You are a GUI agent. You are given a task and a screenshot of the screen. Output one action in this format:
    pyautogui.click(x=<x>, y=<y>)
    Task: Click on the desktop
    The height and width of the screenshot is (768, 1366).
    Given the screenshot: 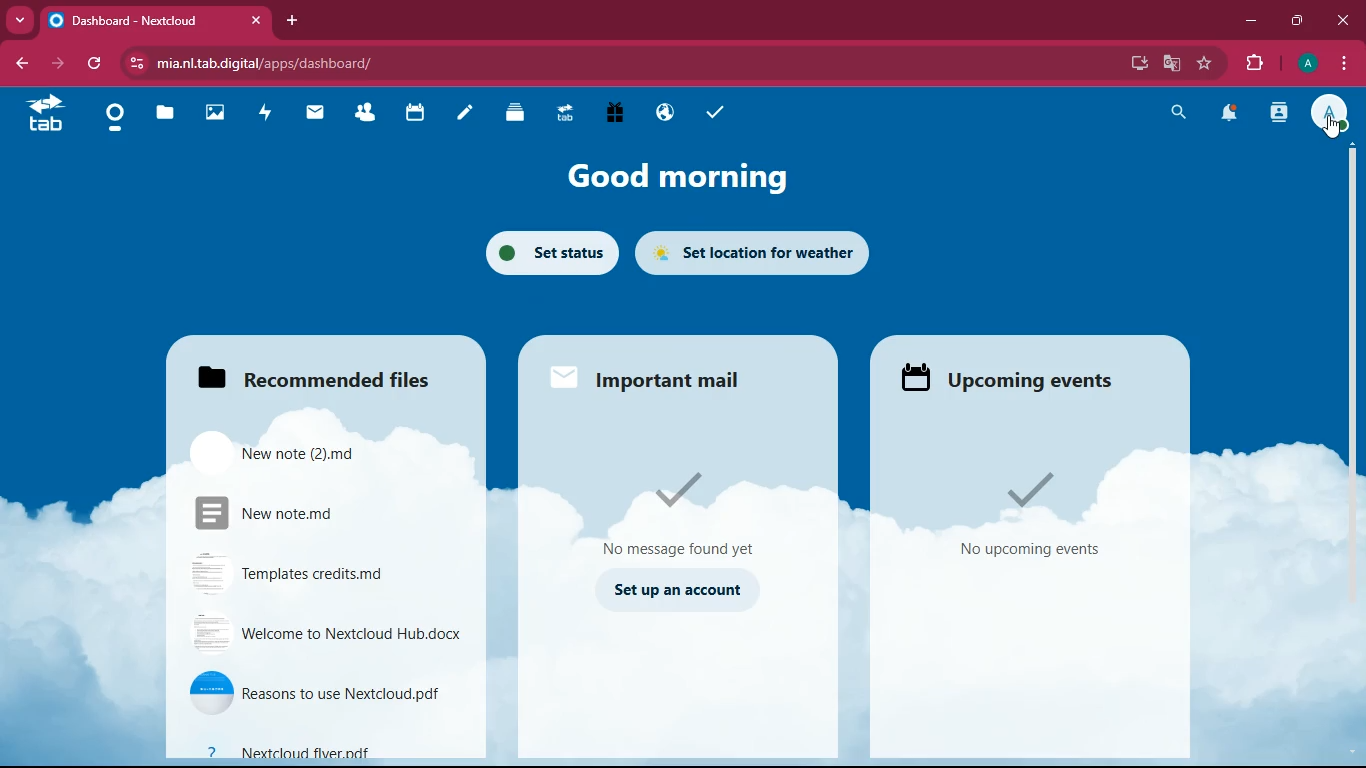 What is the action you would take?
    pyautogui.click(x=1135, y=64)
    